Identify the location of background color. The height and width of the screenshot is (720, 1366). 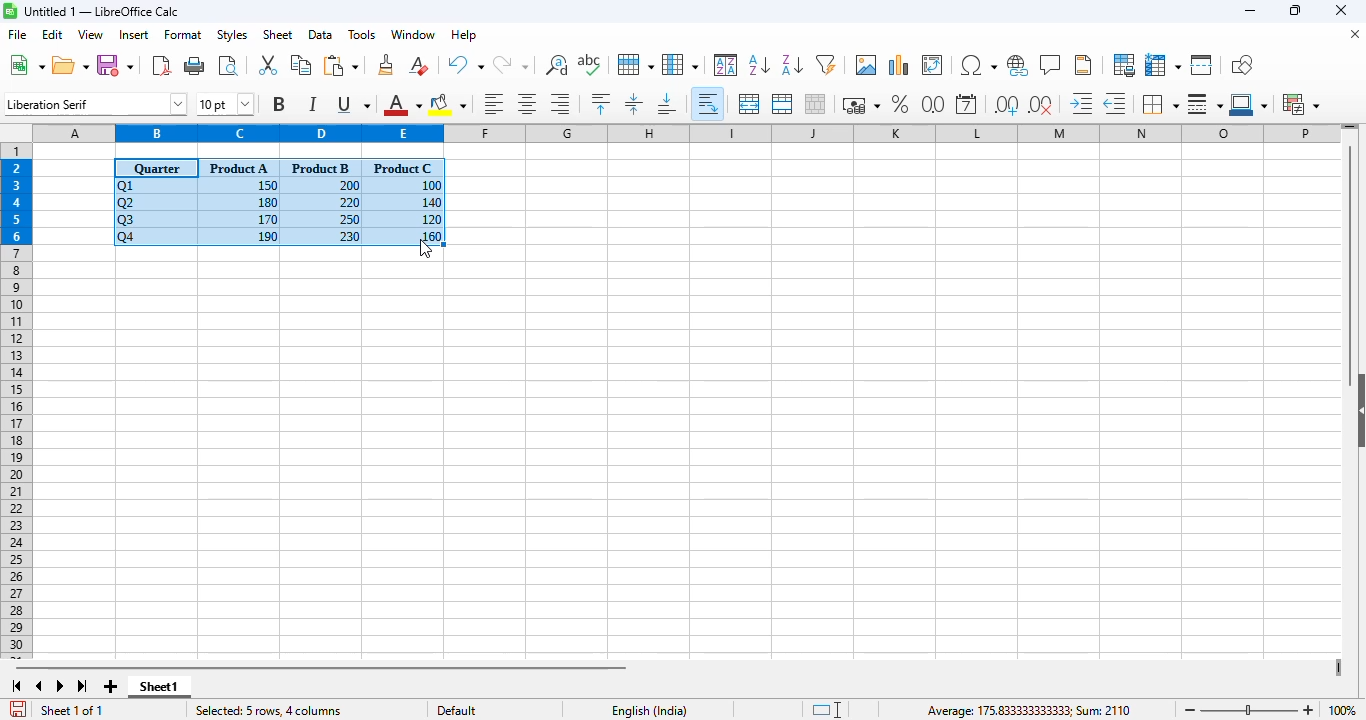
(448, 104).